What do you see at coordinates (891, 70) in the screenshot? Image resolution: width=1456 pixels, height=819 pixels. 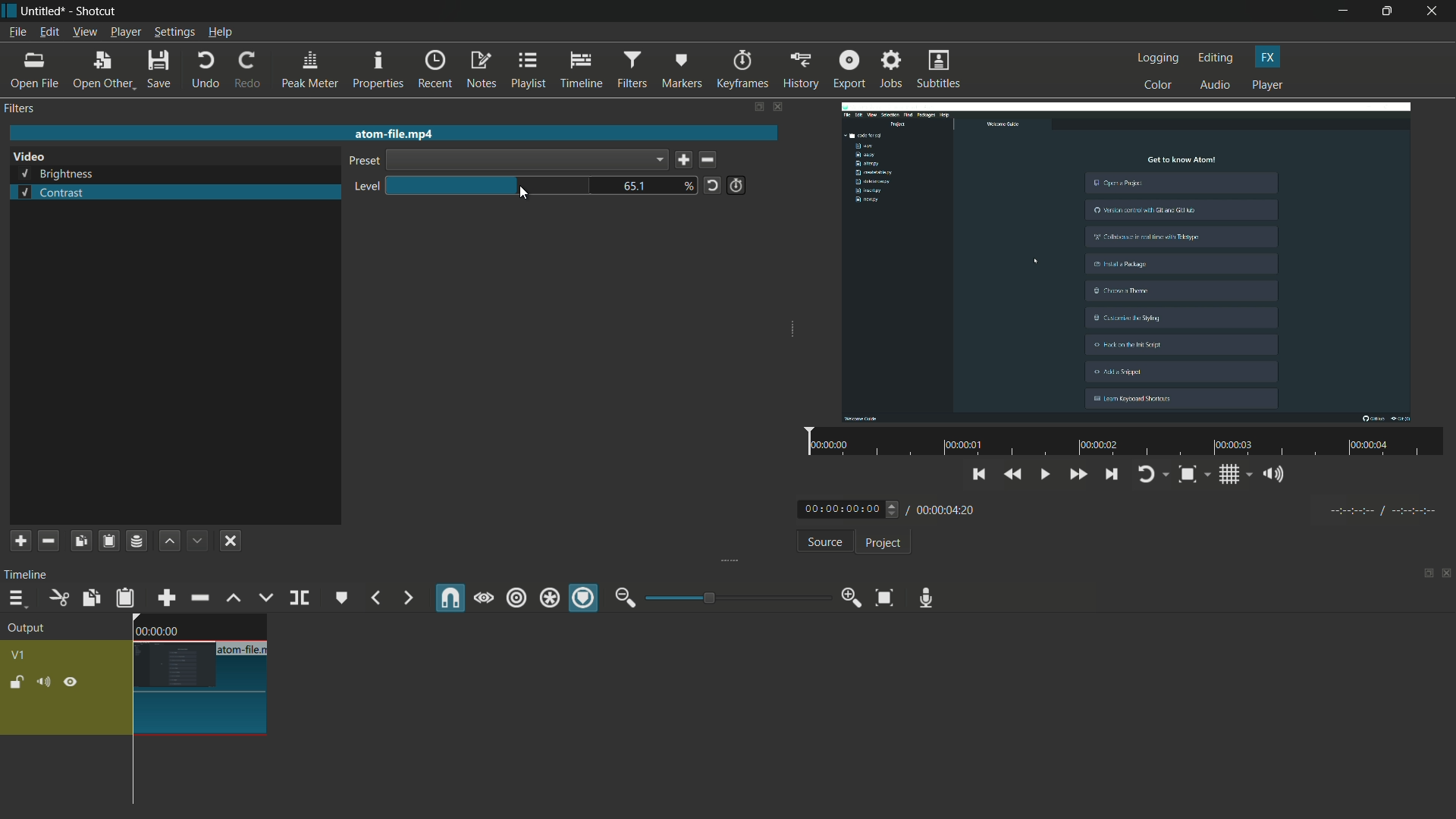 I see `jobs` at bounding box center [891, 70].